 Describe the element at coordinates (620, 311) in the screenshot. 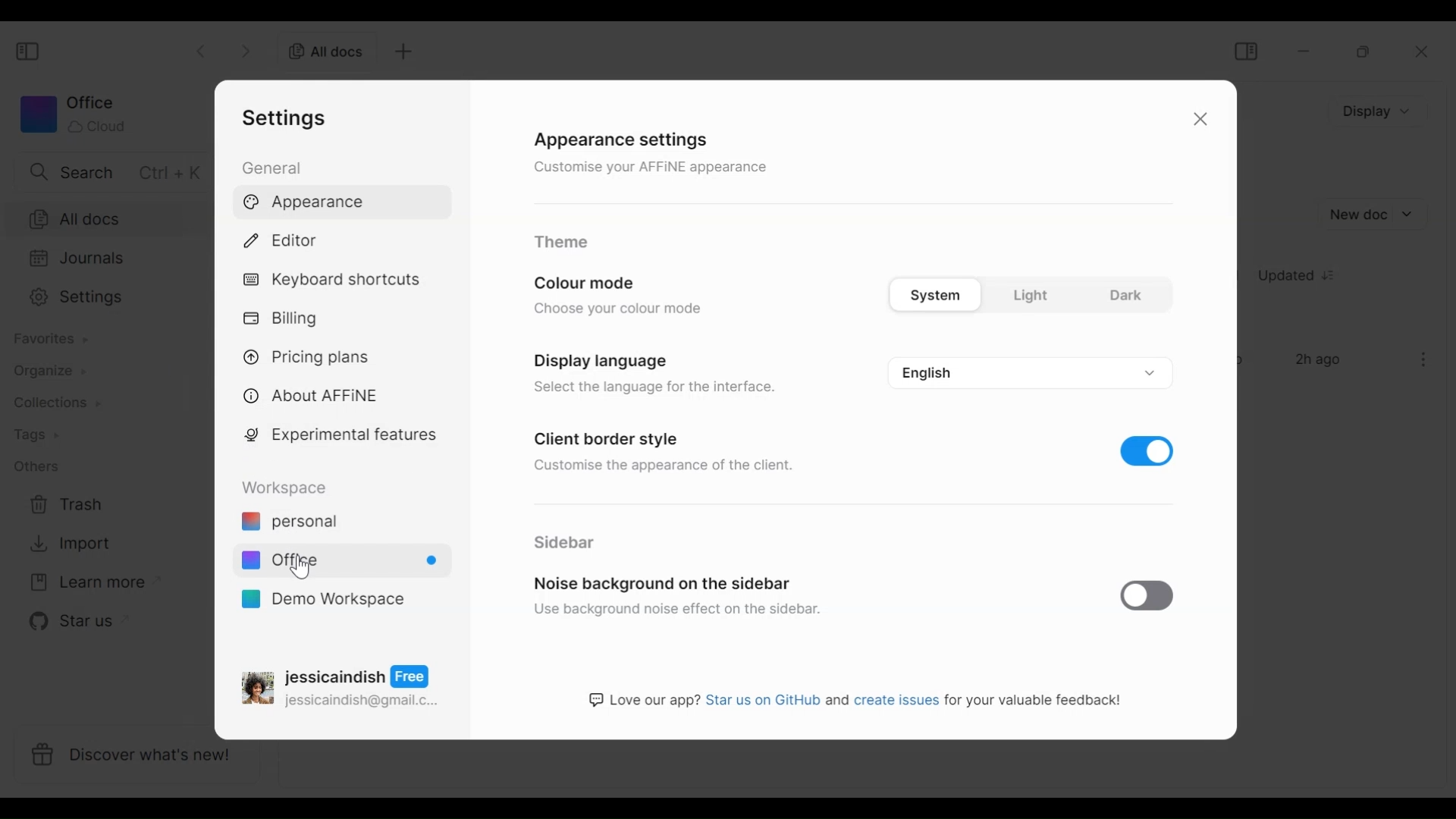

I see `Choose your colour mode` at that location.